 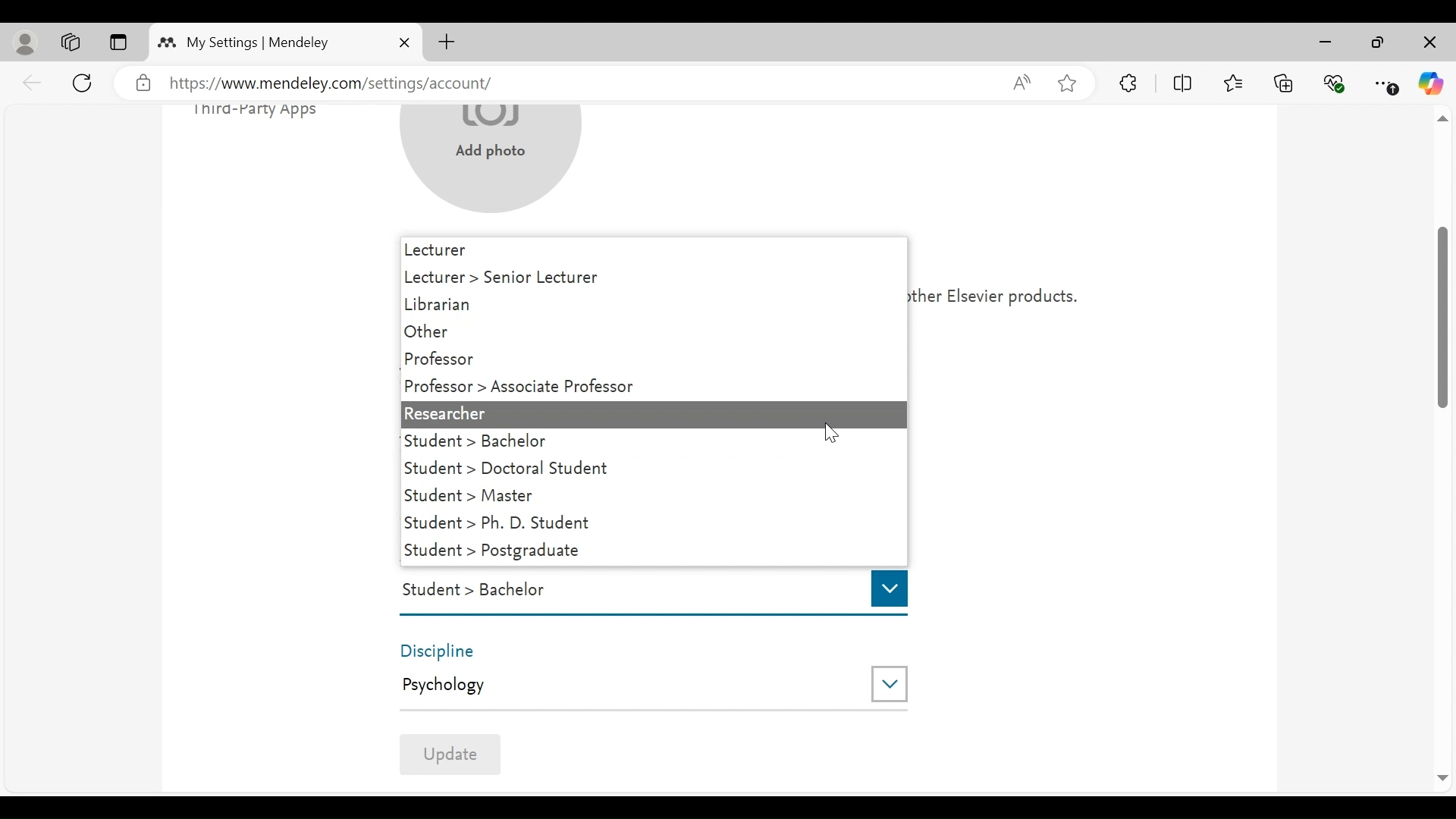 I want to click on  back, so click(x=33, y=82).